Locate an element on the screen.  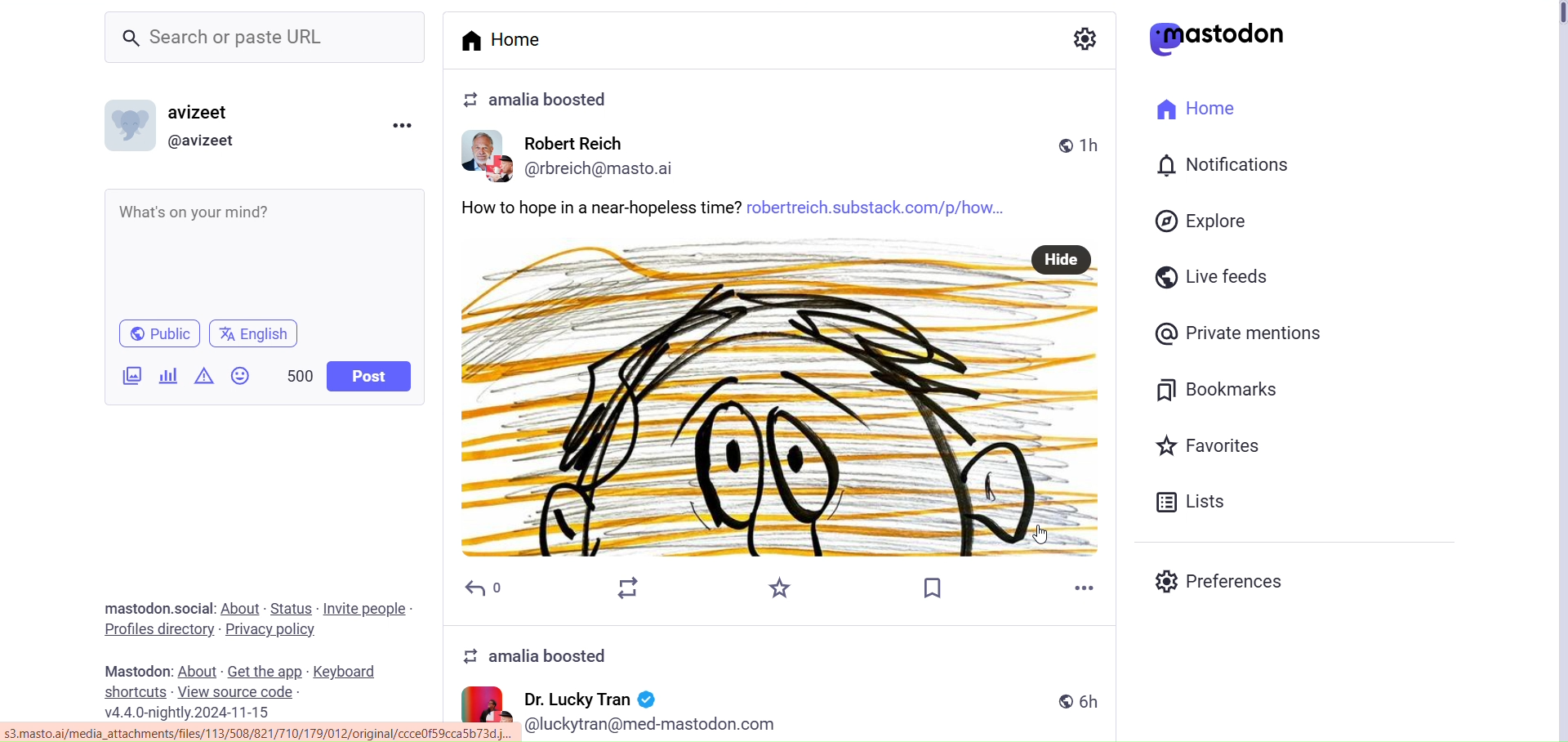
Version is located at coordinates (196, 712).